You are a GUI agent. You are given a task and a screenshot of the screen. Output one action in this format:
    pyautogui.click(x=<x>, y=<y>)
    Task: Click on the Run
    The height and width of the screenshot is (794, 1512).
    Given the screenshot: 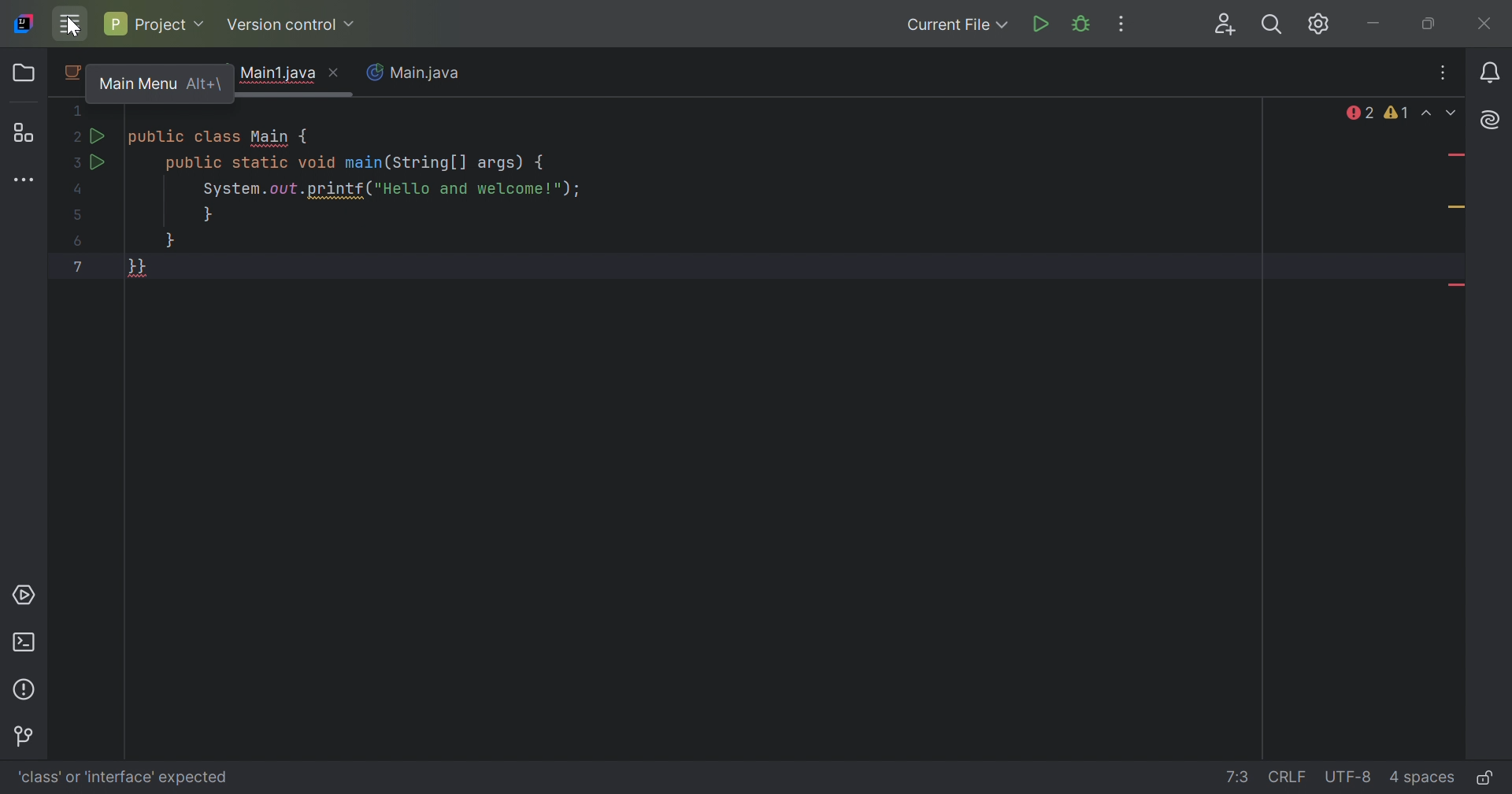 What is the action you would take?
    pyautogui.click(x=1040, y=26)
    